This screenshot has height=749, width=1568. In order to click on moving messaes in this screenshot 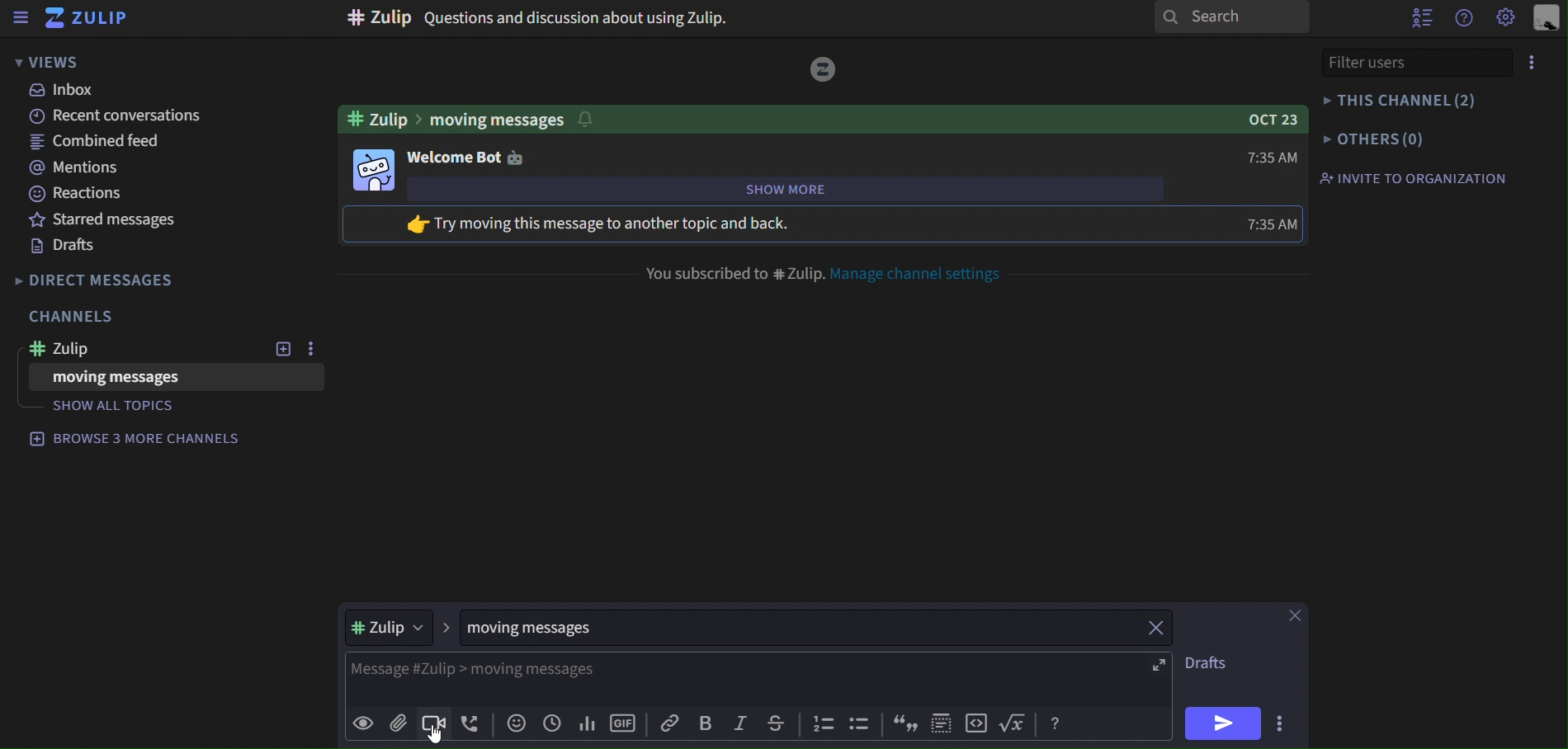, I will do `click(563, 629)`.